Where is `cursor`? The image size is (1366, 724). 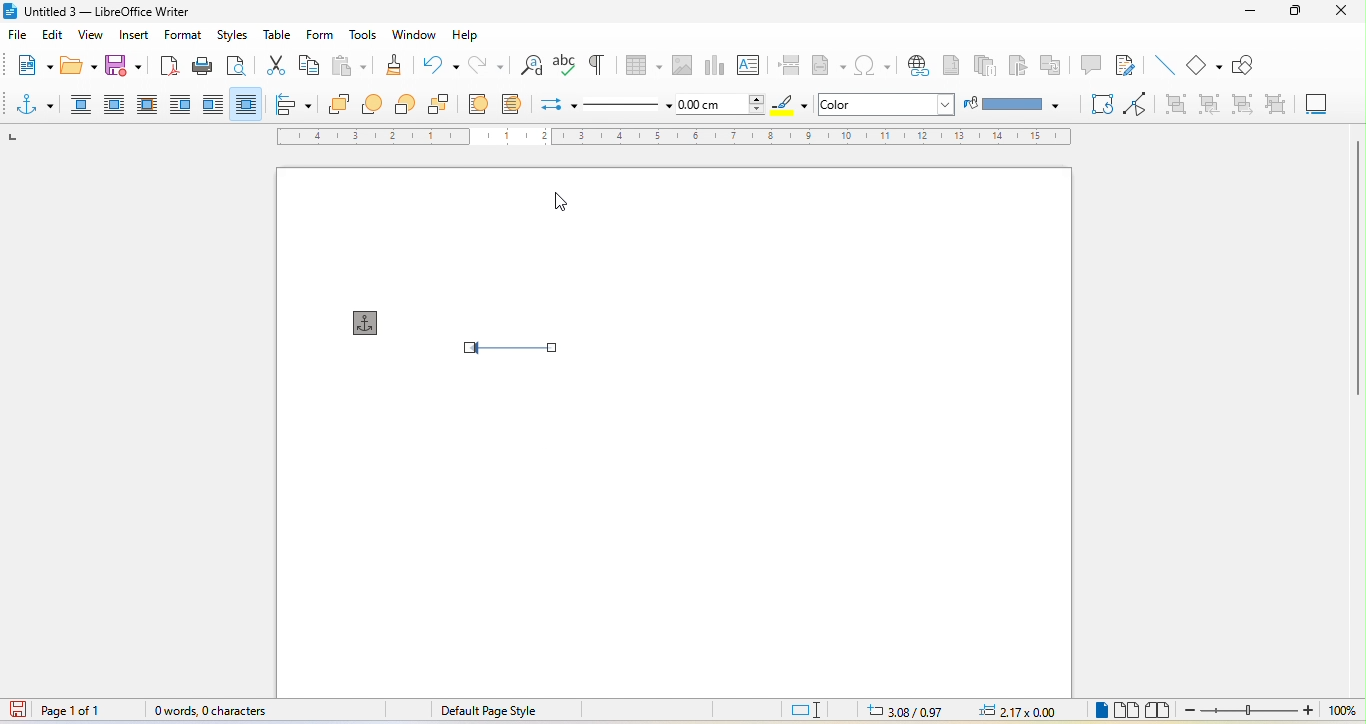
cursor is located at coordinates (572, 203).